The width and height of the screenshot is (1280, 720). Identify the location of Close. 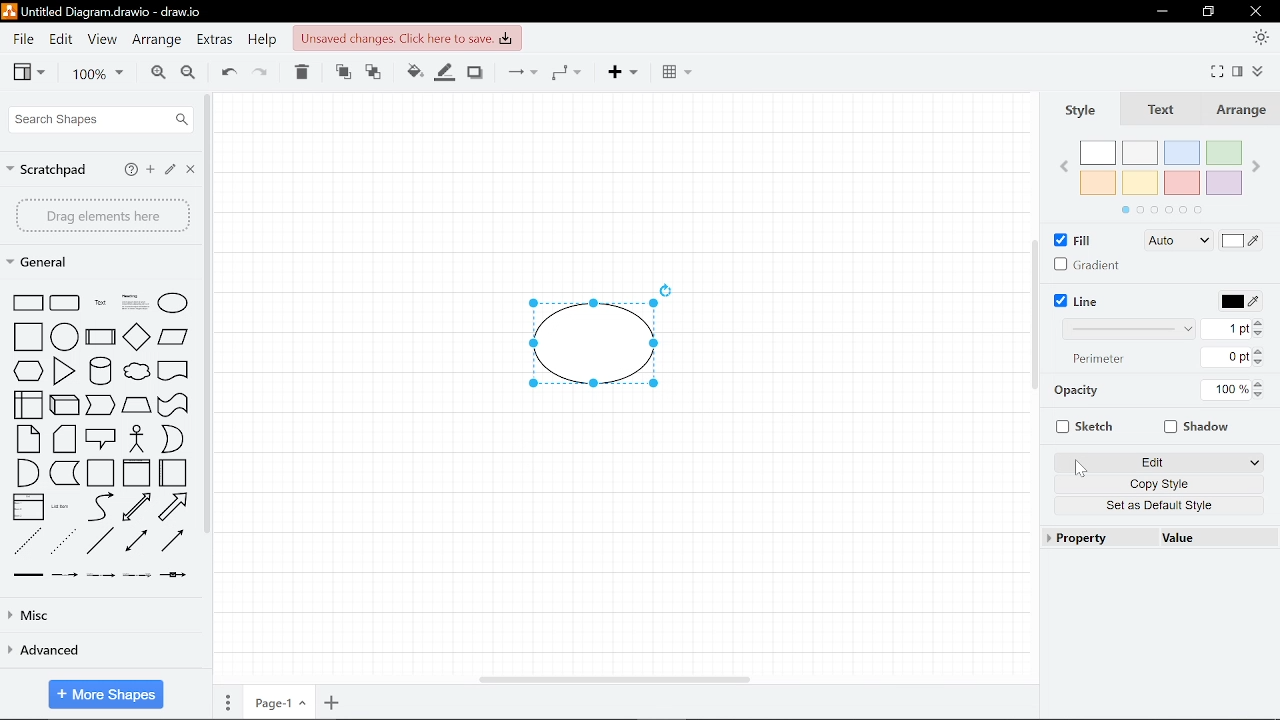
(189, 168).